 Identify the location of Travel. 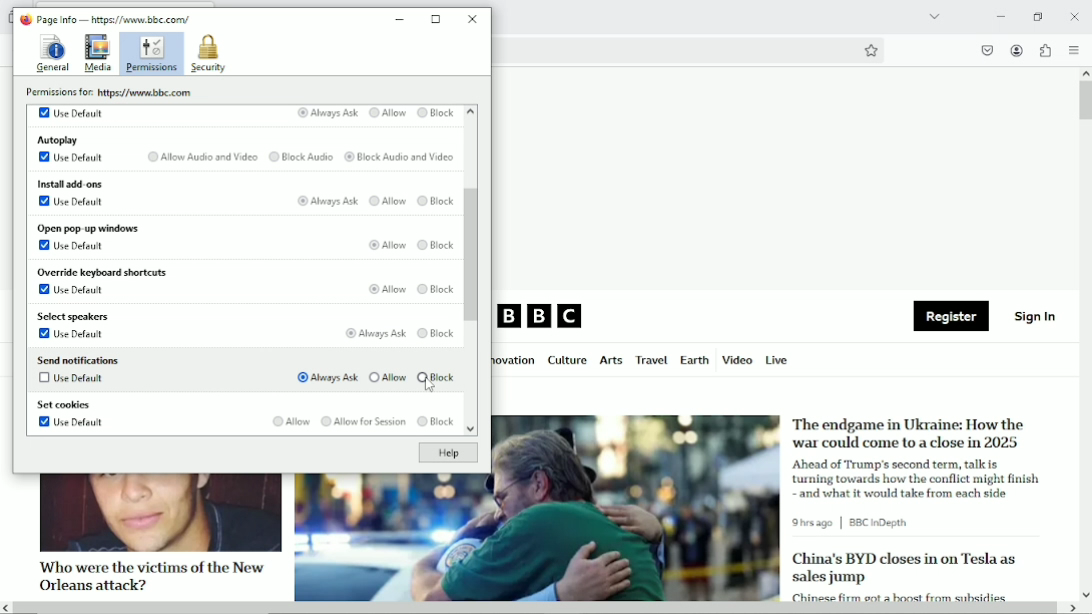
(649, 360).